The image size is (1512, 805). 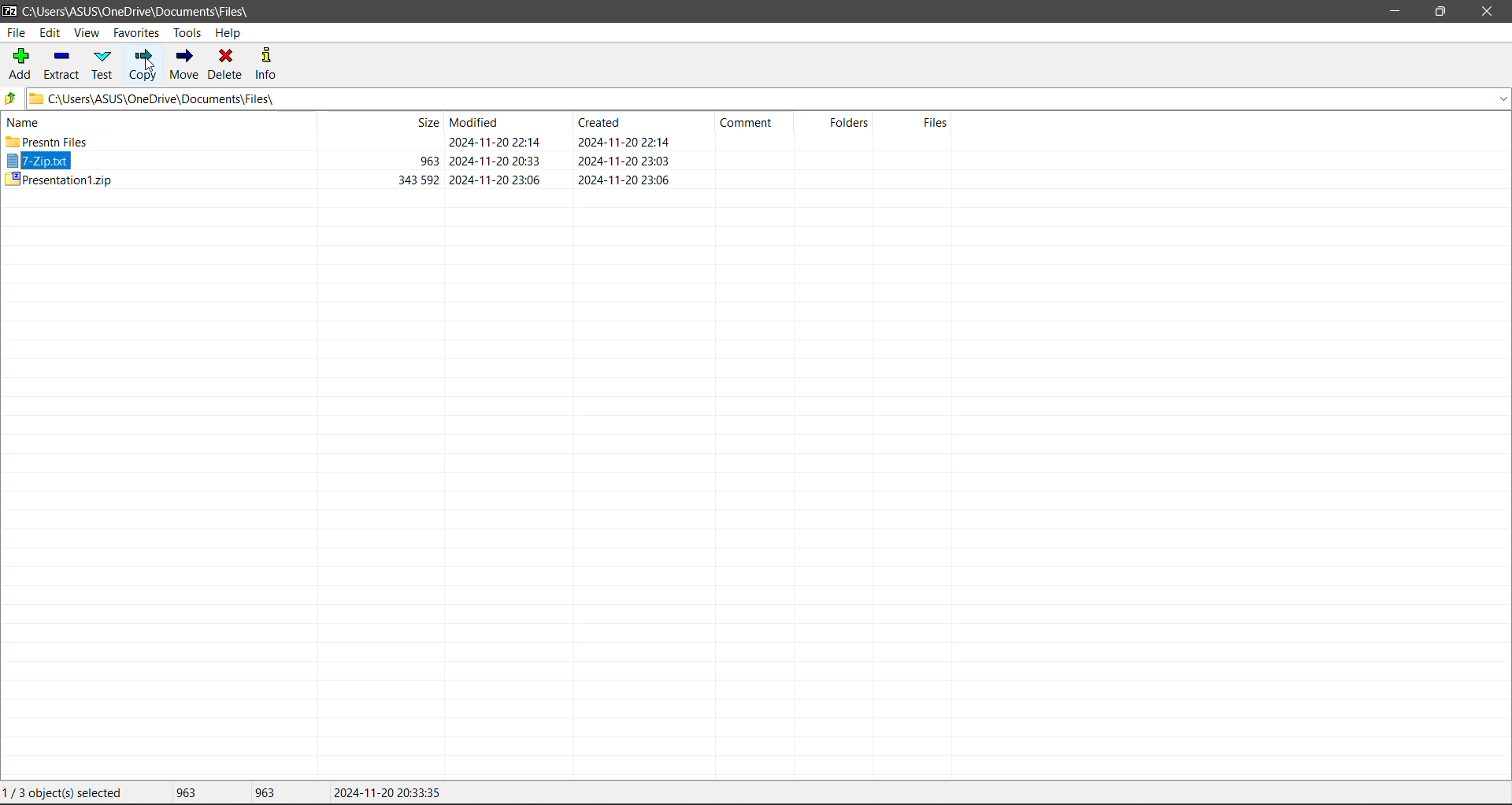 I want to click on Current File selection status, so click(x=66, y=793).